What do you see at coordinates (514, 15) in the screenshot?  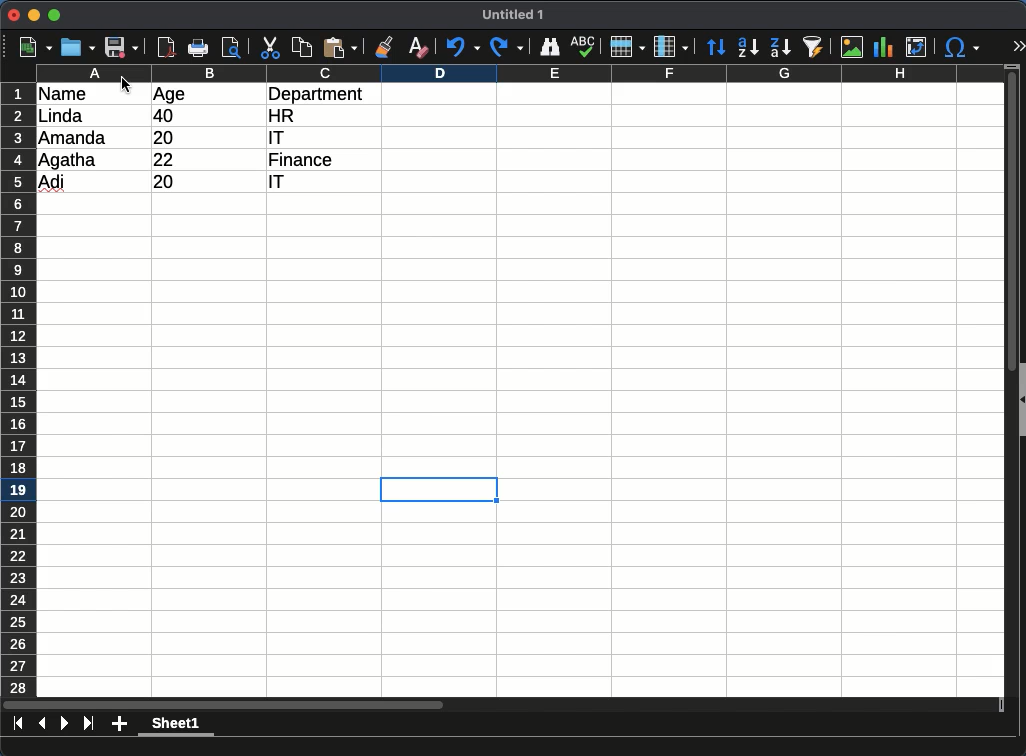 I see `untitled 1` at bounding box center [514, 15].